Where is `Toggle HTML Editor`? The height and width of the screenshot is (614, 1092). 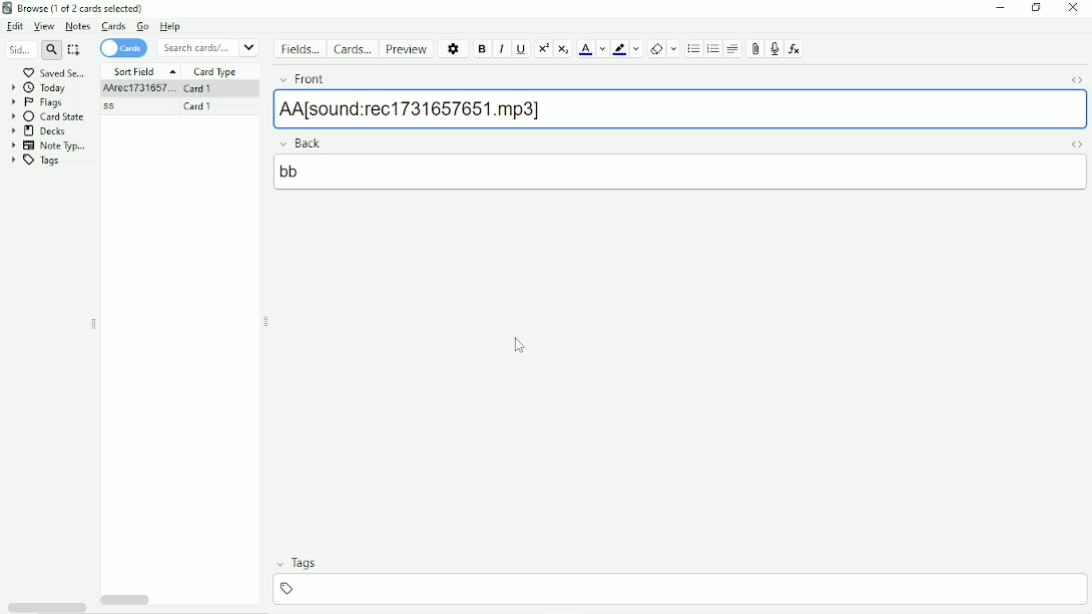
Toggle HTML Editor is located at coordinates (1076, 145).